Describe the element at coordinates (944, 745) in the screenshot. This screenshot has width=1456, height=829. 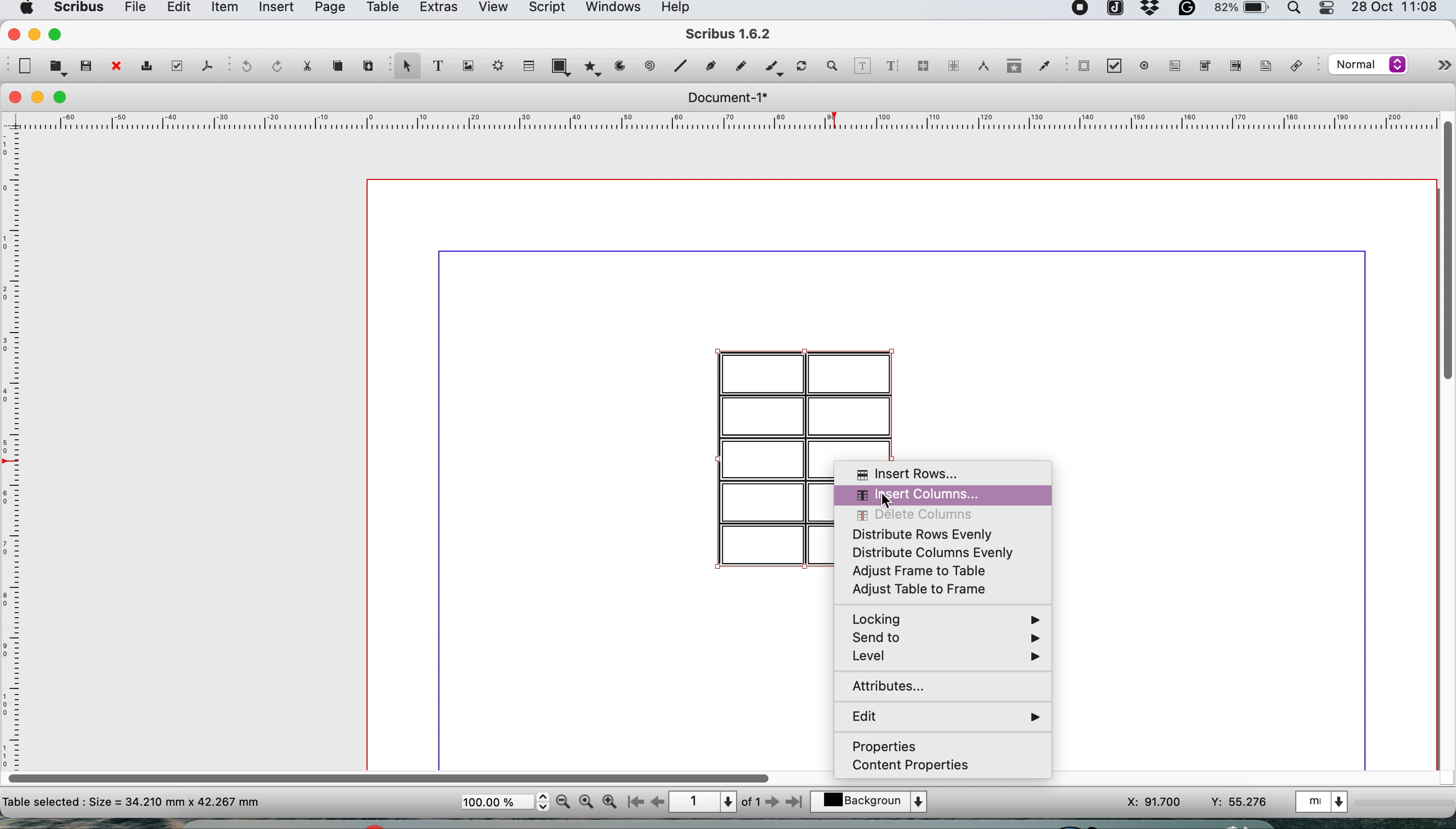
I see `properties` at that location.